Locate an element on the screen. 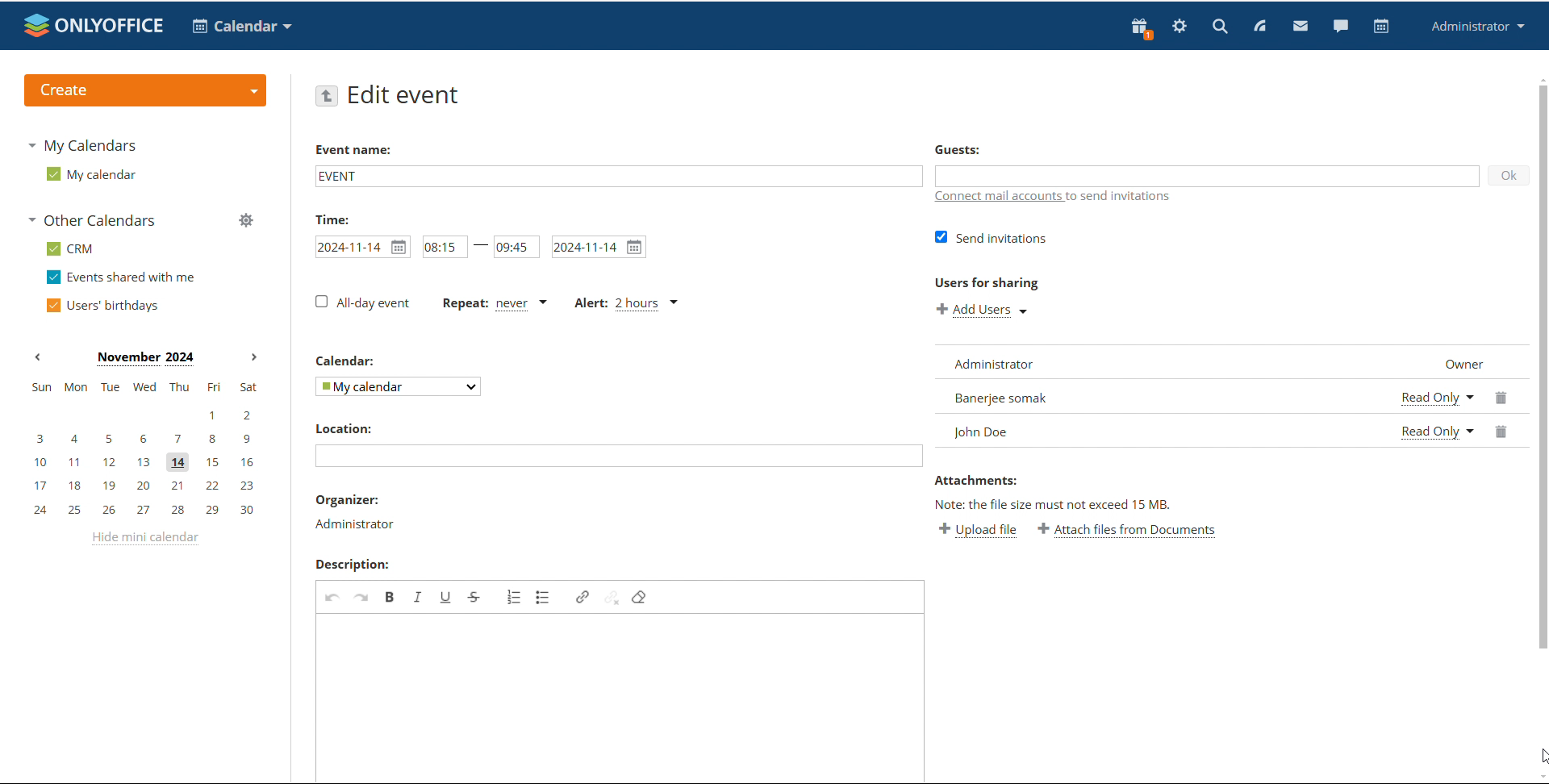 The width and height of the screenshot is (1549, 784). all day event checkbox is located at coordinates (361, 302).